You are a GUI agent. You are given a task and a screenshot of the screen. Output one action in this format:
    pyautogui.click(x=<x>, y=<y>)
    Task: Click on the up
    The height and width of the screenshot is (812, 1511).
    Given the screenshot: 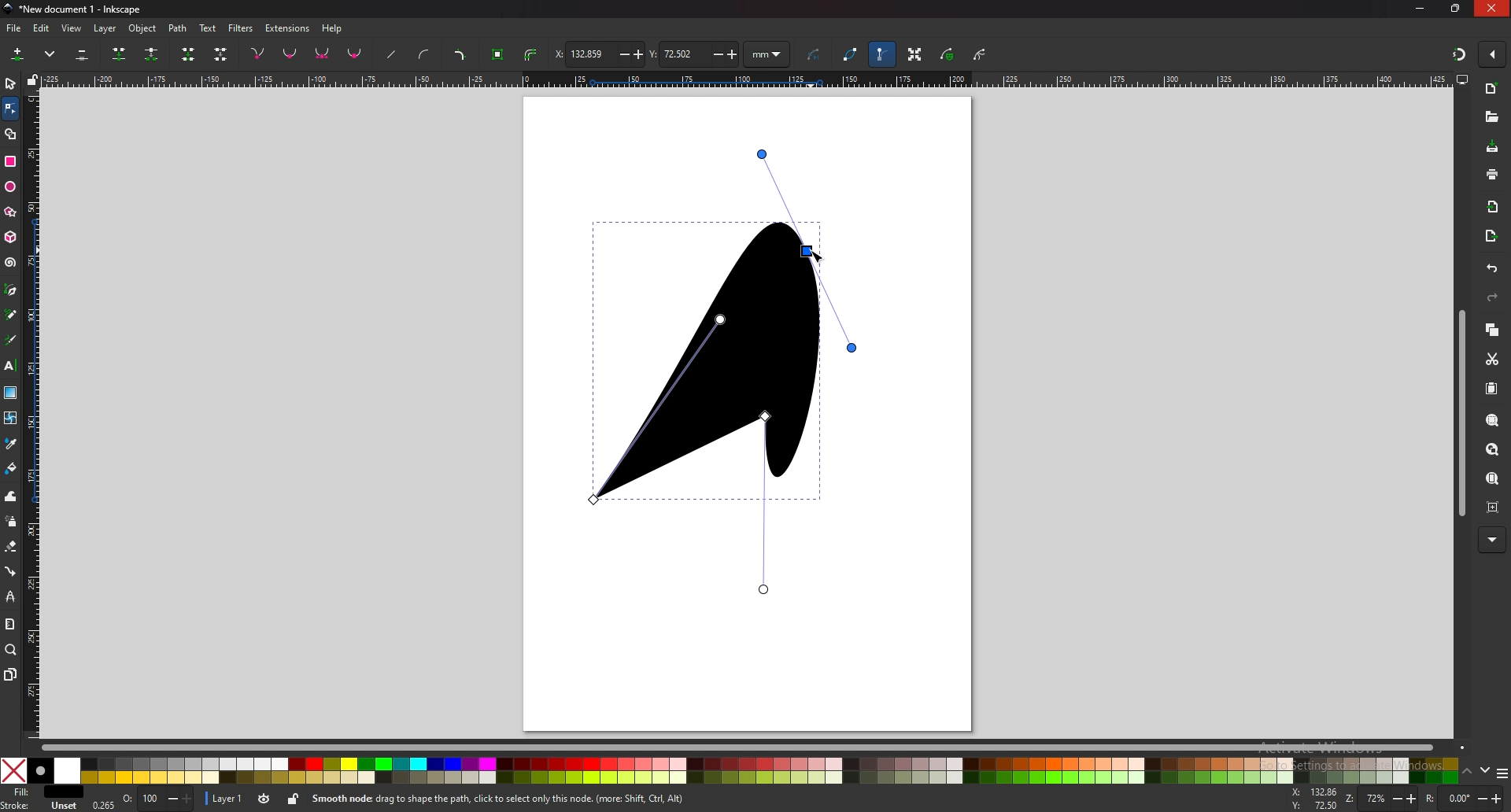 What is the action you would take?
    pyautogui.click(x=1467, y=772)
    